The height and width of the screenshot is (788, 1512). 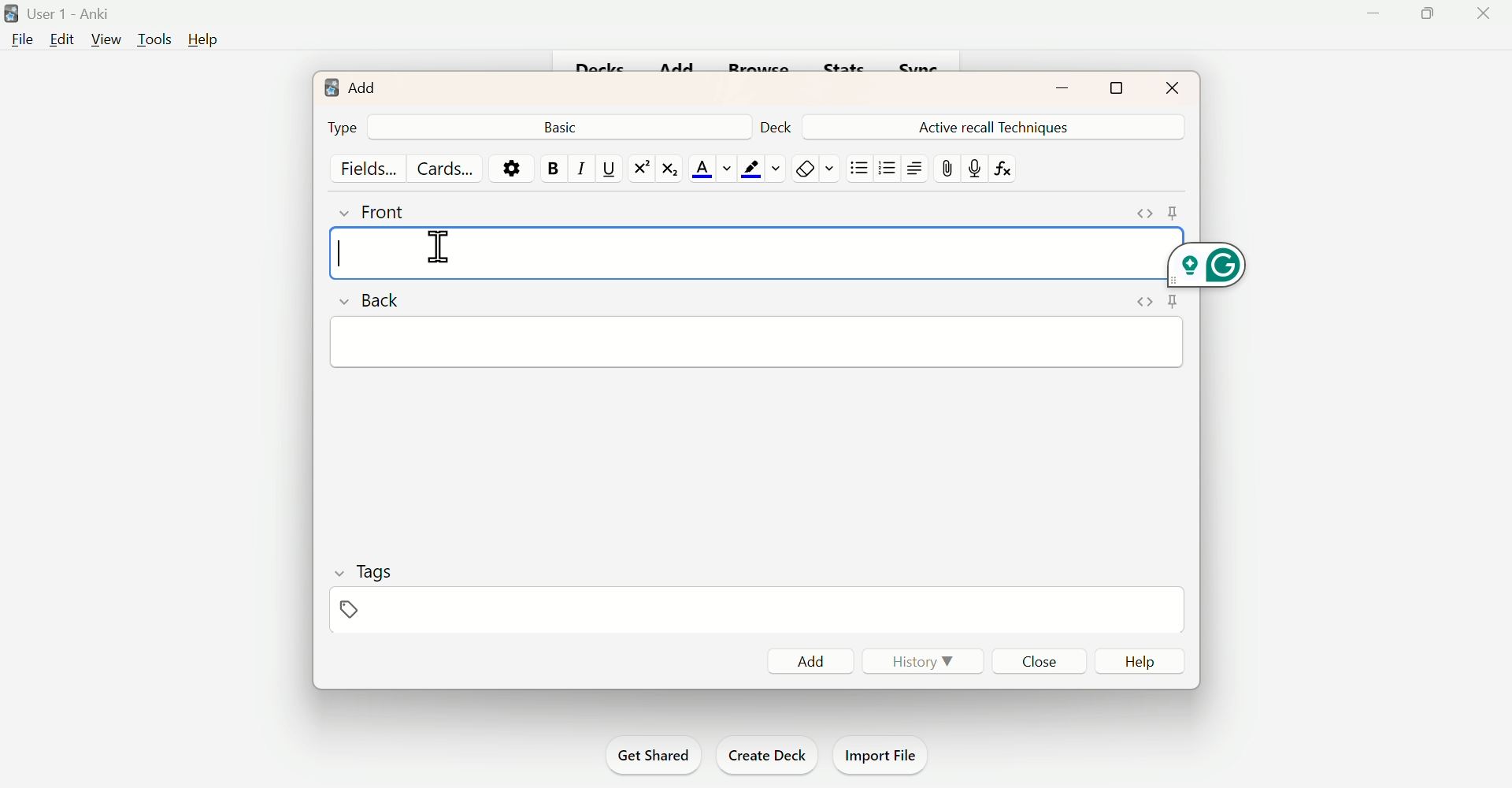 I want to click on Bold, so click(x=553, y=165).